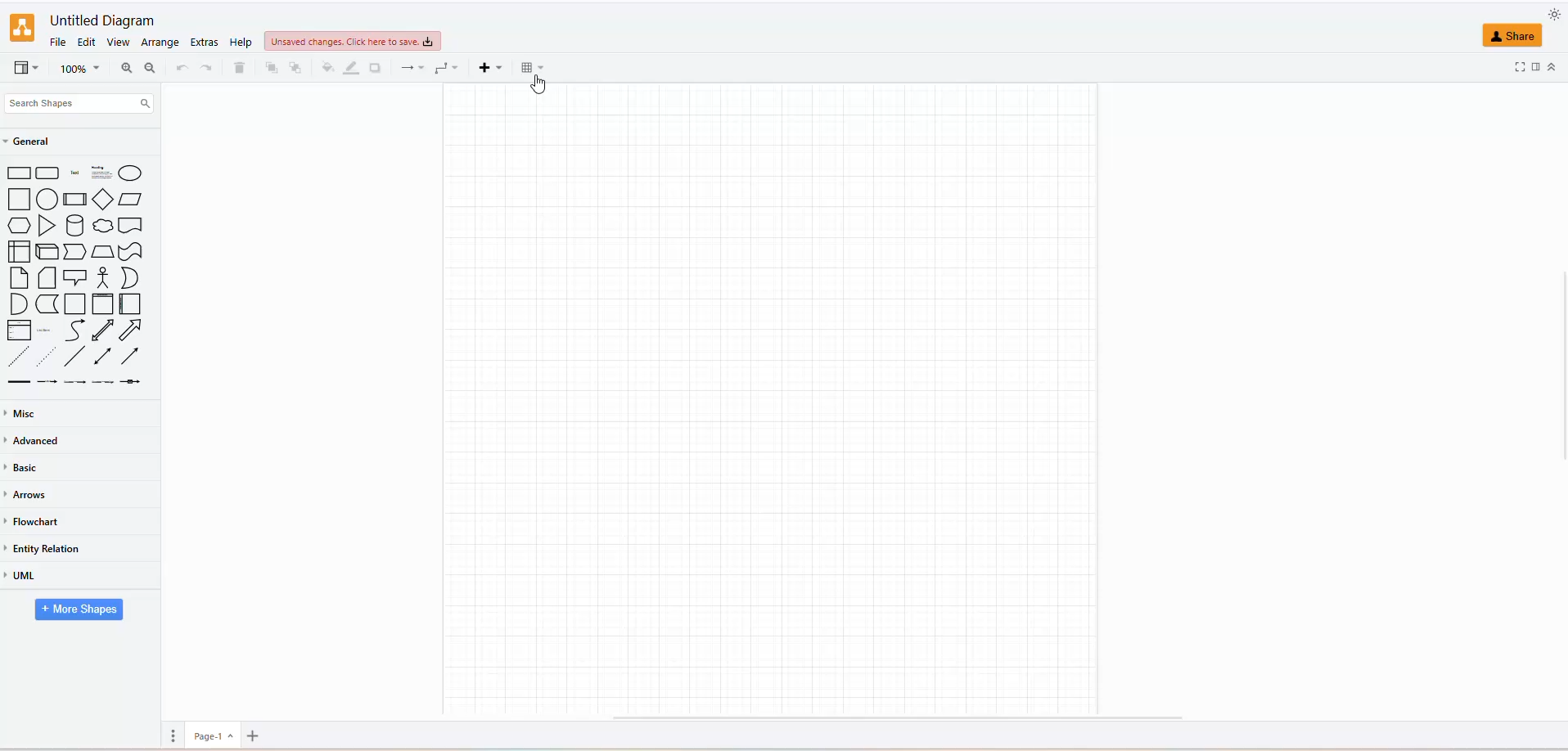 This screenshot has height=751, width=1568. Describe the element at coordinates (29, 497) in the screenshot. I see `arrows` at that location.